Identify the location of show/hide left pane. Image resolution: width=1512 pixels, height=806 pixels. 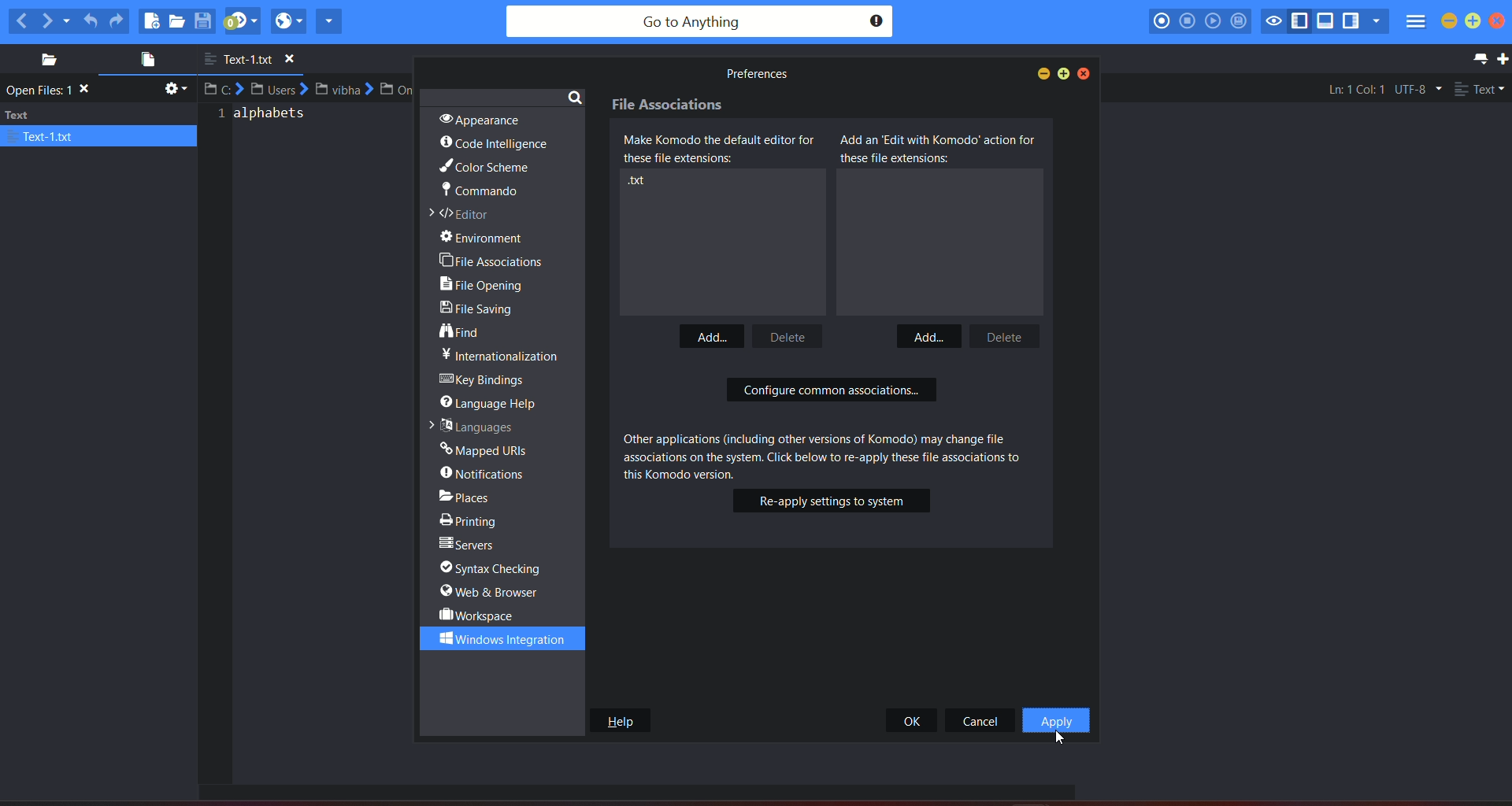
(1303, 21).